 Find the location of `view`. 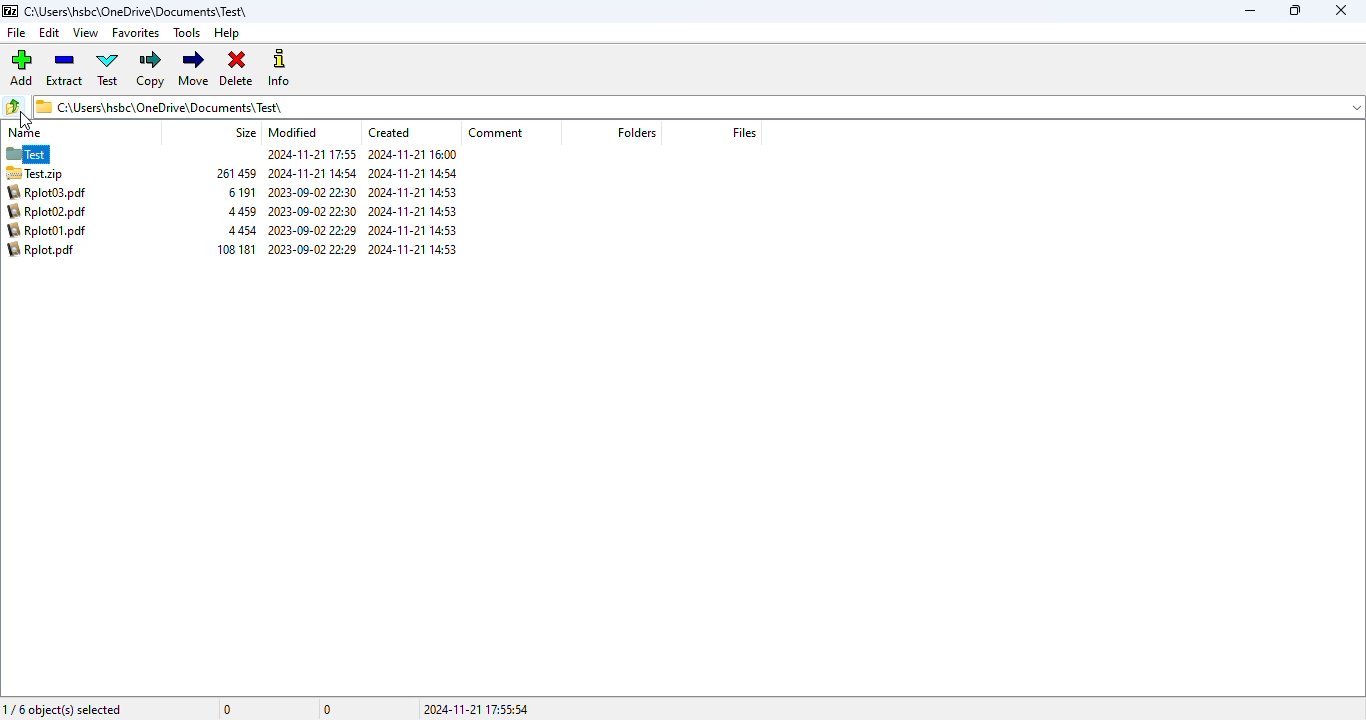

view is located at coordinates (85, 33).